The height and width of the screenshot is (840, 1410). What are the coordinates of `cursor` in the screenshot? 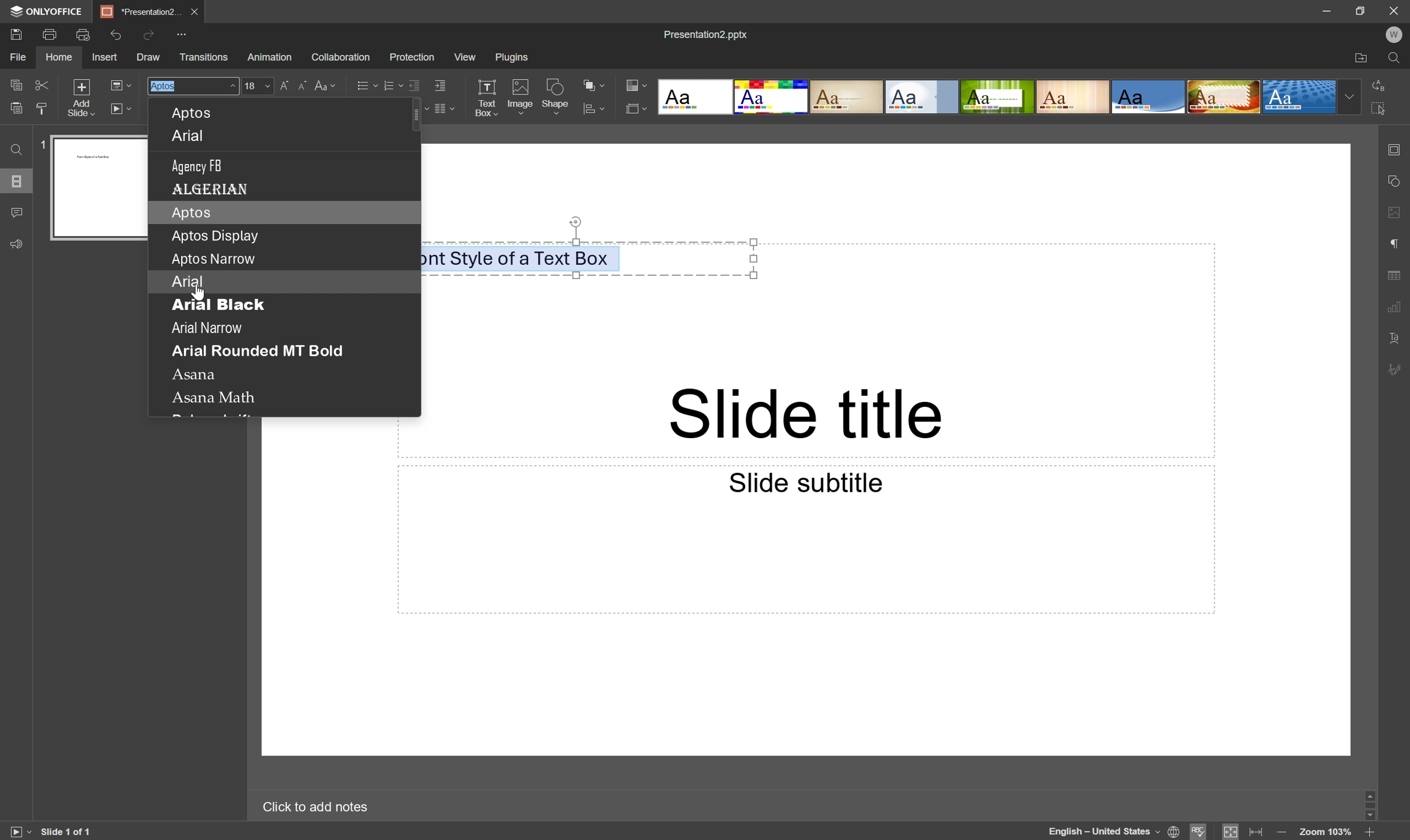 It's located at (199, 293).